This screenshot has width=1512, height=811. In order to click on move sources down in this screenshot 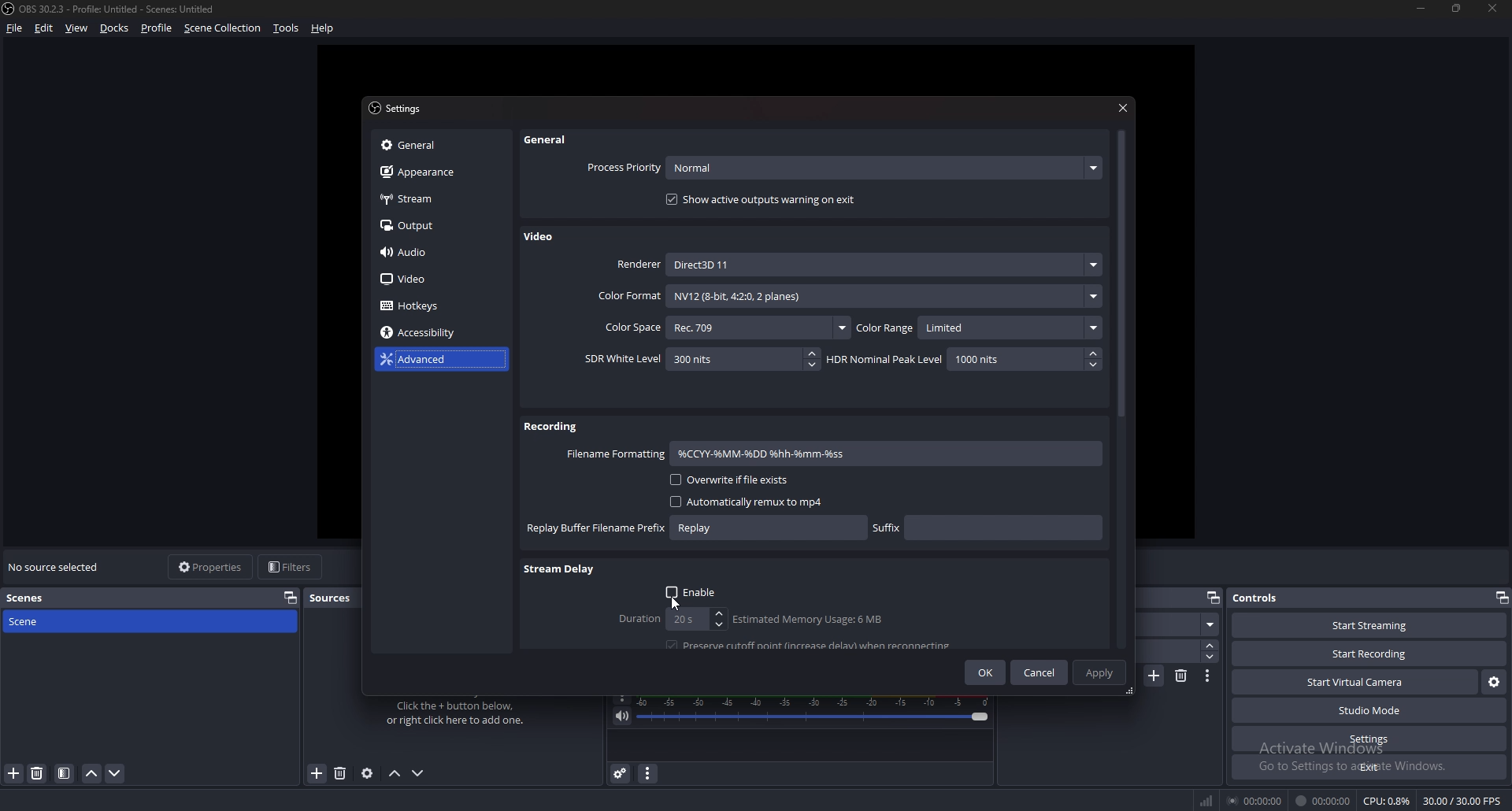, I will do `click(419, 773)`.